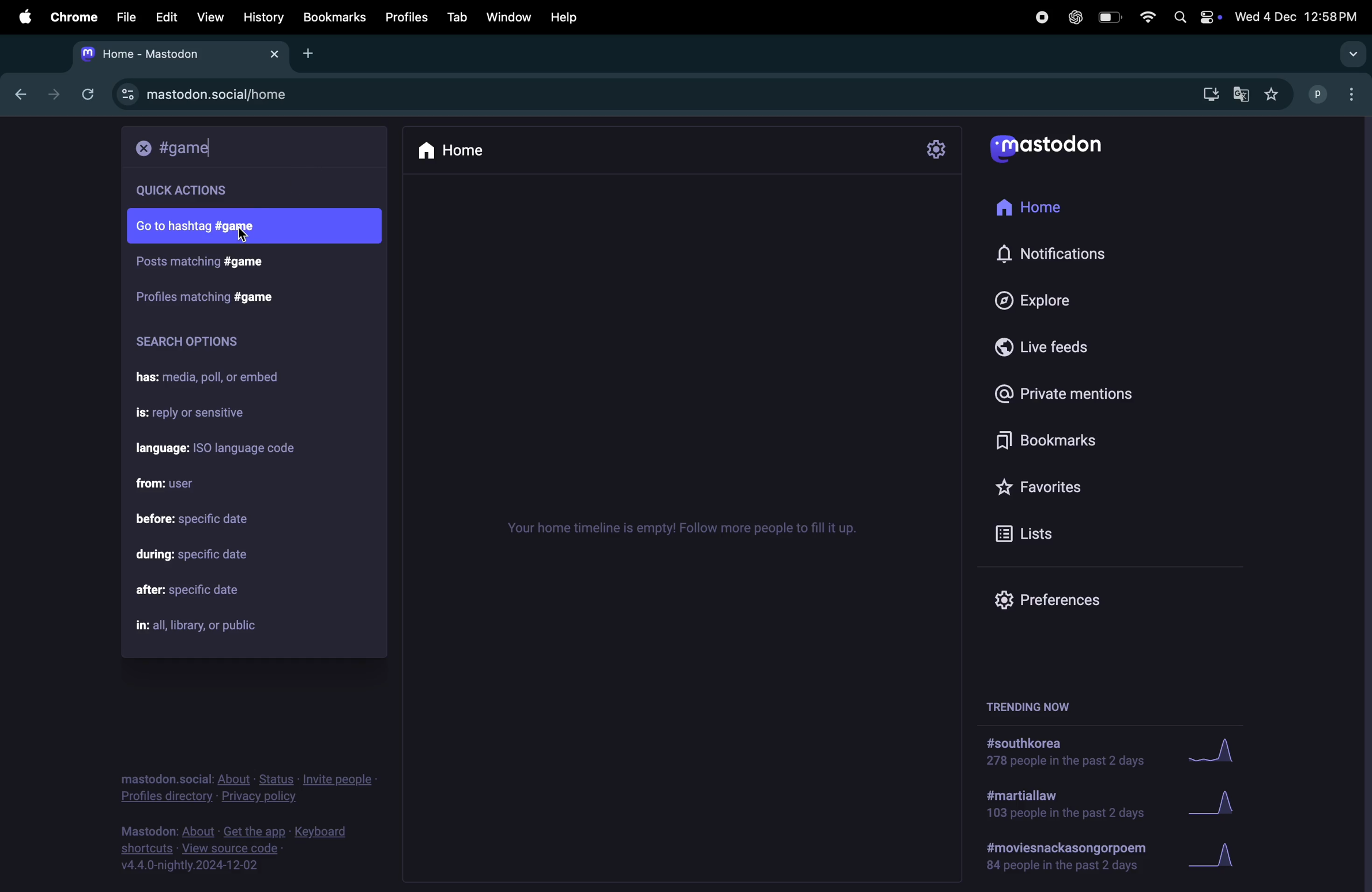 The height and width of the screenshot is (892, 1372). What do you see at coordinates (938, 148) in the screenshot?
I see `setting` at bounding box center [938, 148].